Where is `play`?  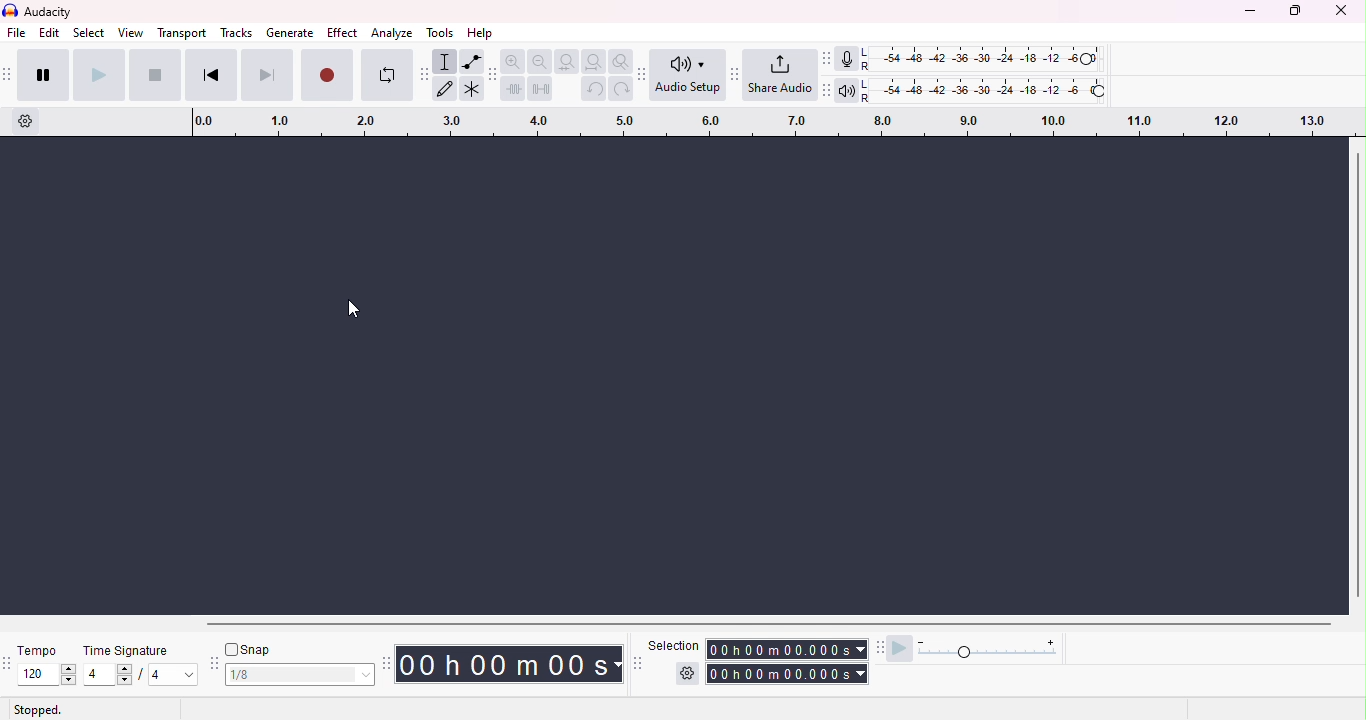
play is located at coordinates (98, 76).